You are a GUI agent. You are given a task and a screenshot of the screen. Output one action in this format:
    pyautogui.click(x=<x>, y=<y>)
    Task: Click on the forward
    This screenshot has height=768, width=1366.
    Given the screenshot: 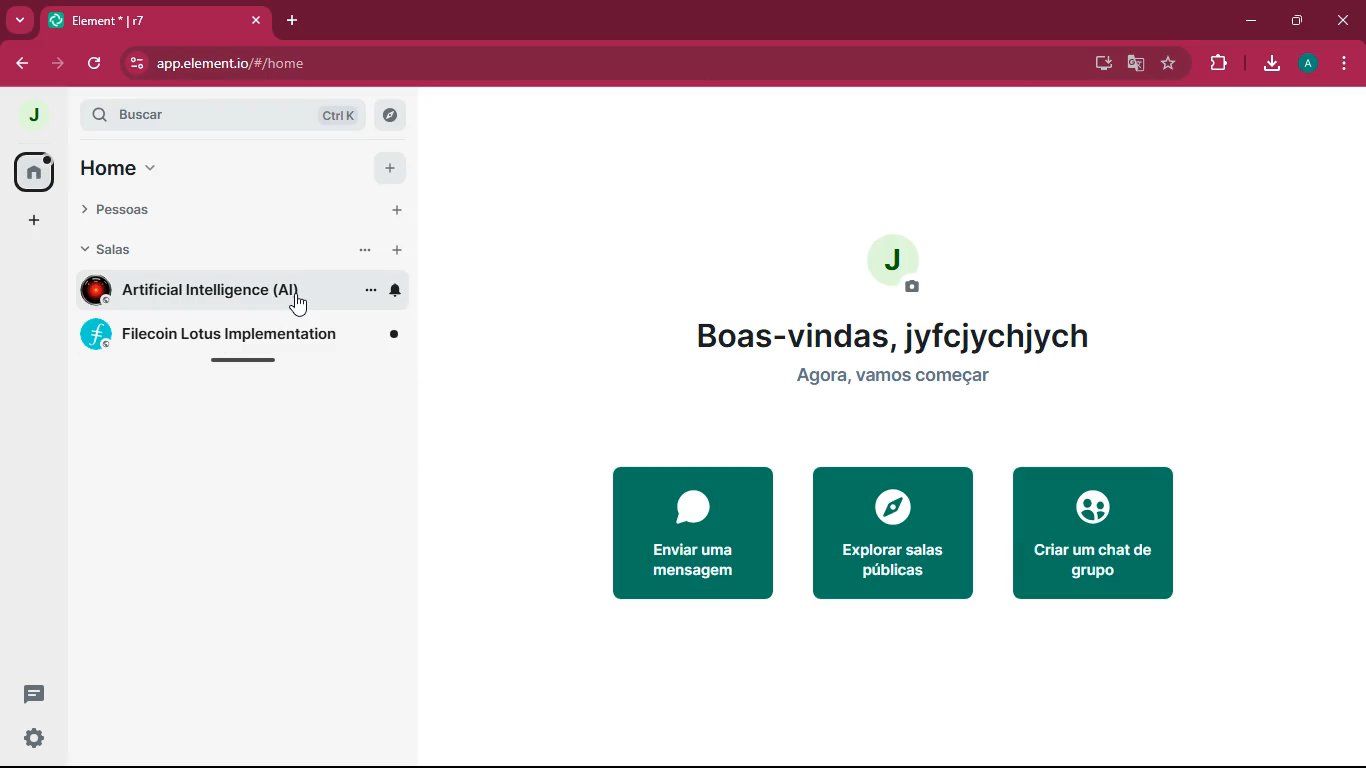 What is the action you would take?
    pyautogui.click(x=59, y=65)
    